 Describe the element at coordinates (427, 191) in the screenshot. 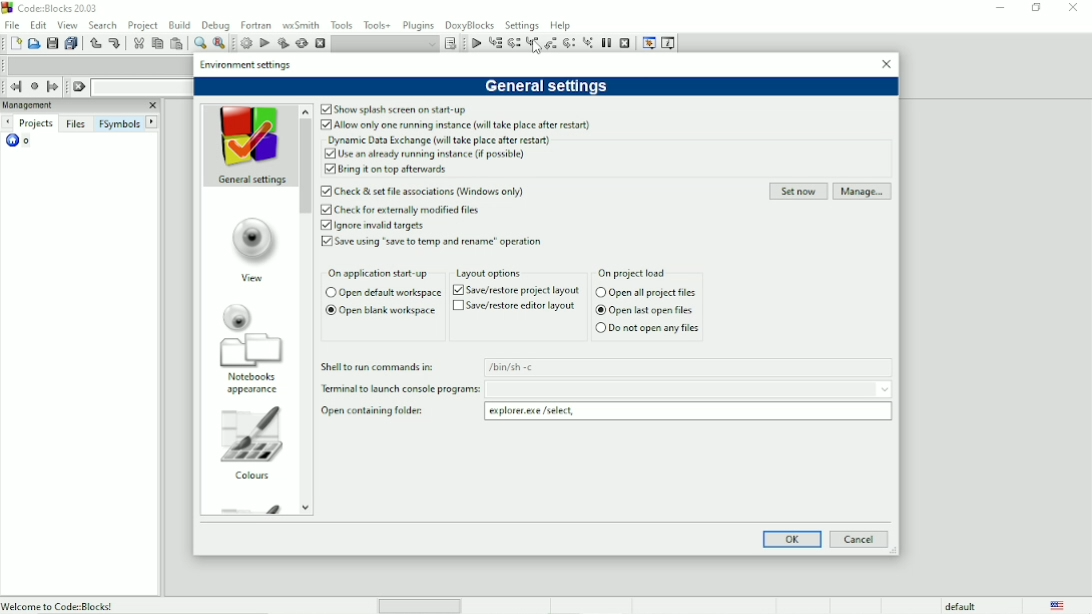

I see `Check & set file associations` at that location.